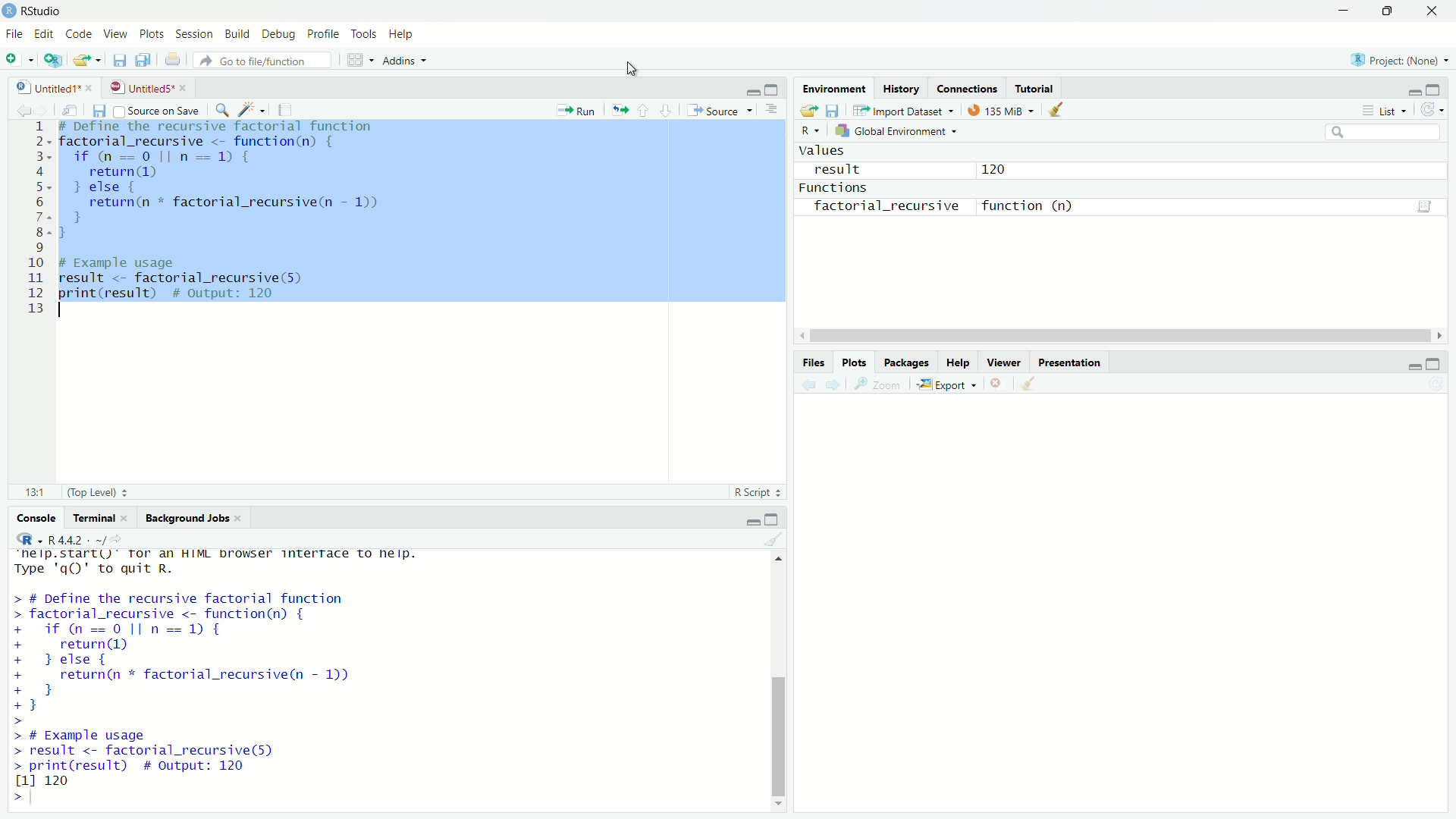  I want to click on Minimize, so click(752, 522).